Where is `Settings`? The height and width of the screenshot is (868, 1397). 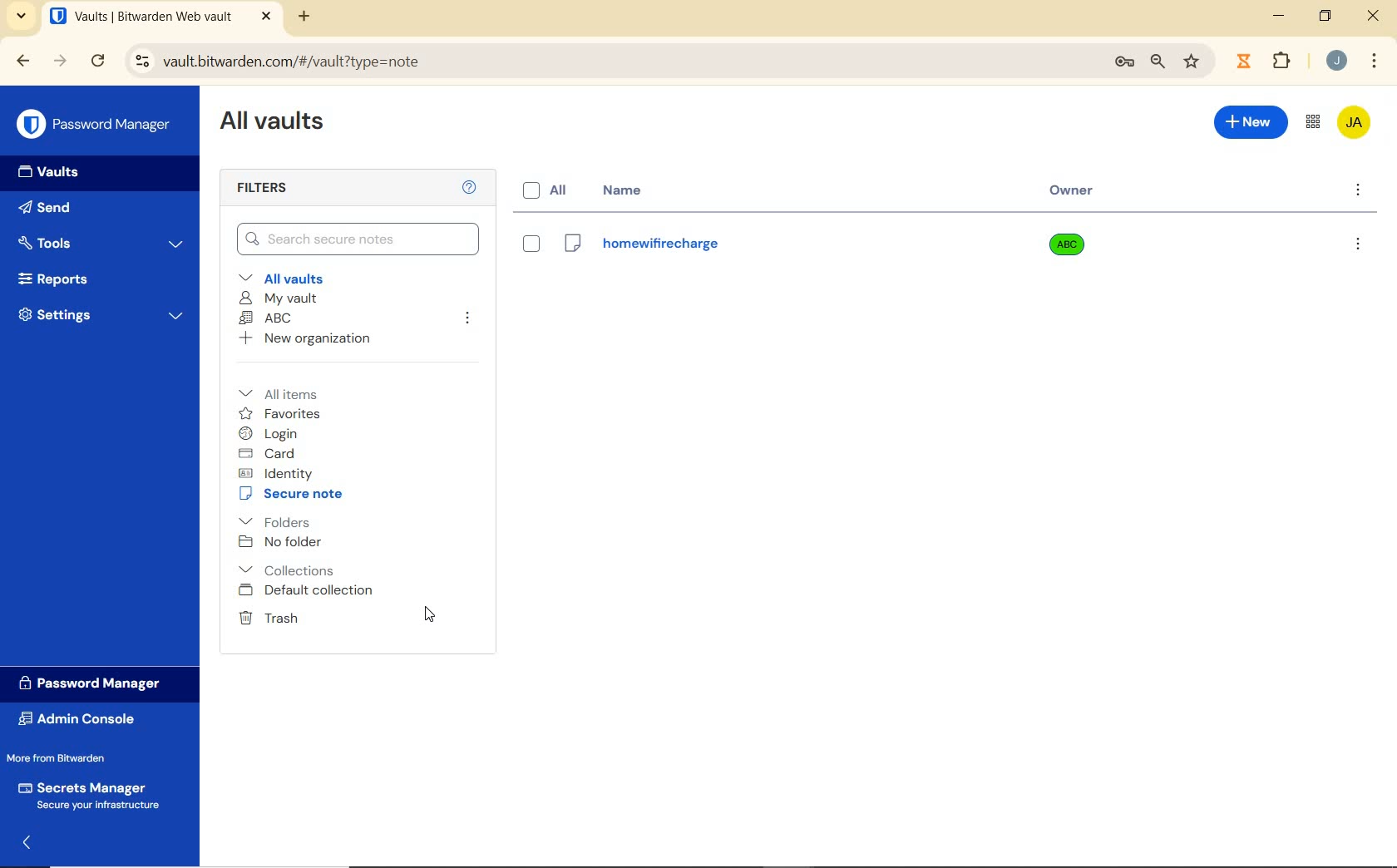 Settings is located at coordinates (99, 314).